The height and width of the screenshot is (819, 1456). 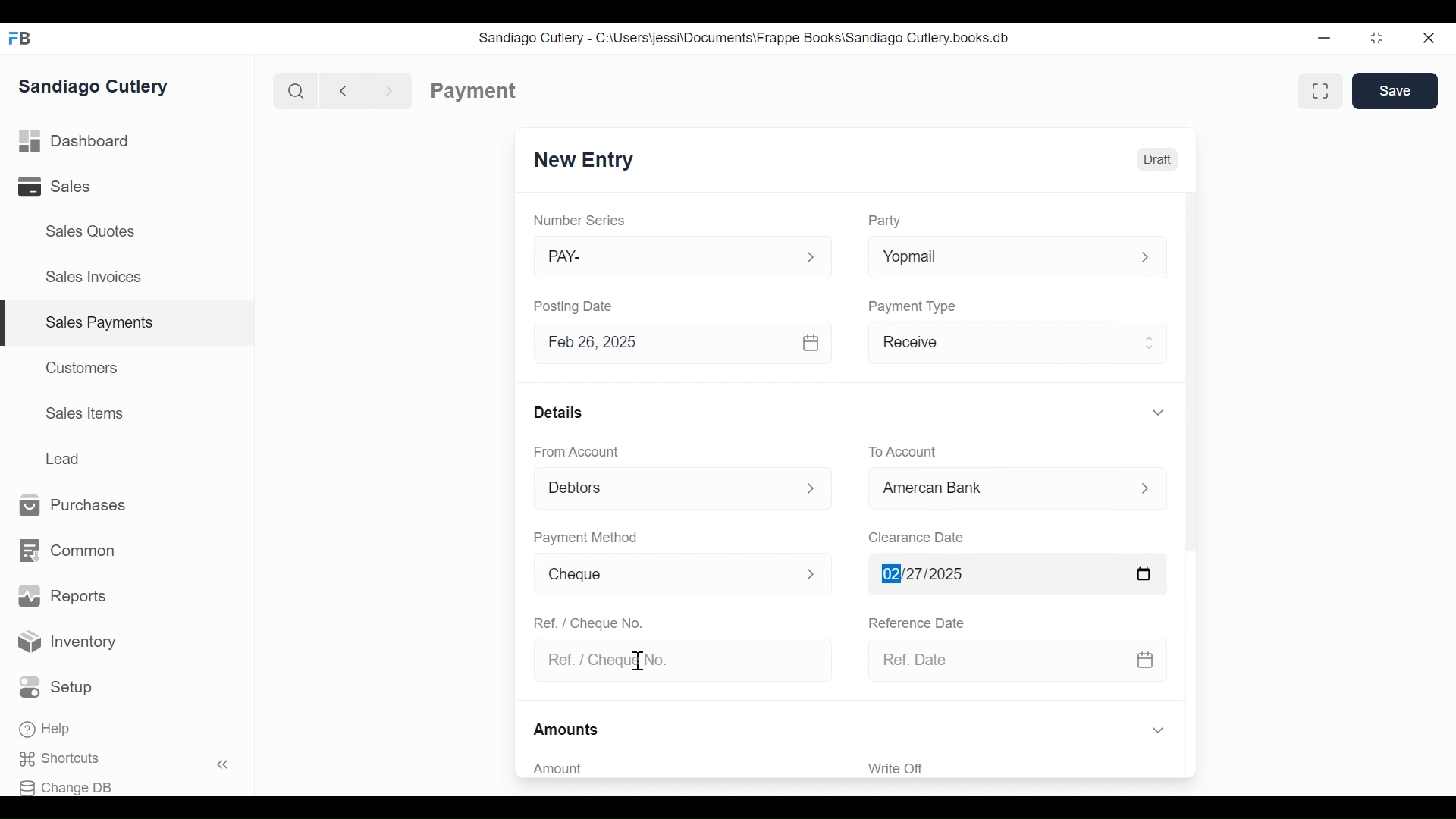 I want to click on Cheque, so click(x=658, y=575).